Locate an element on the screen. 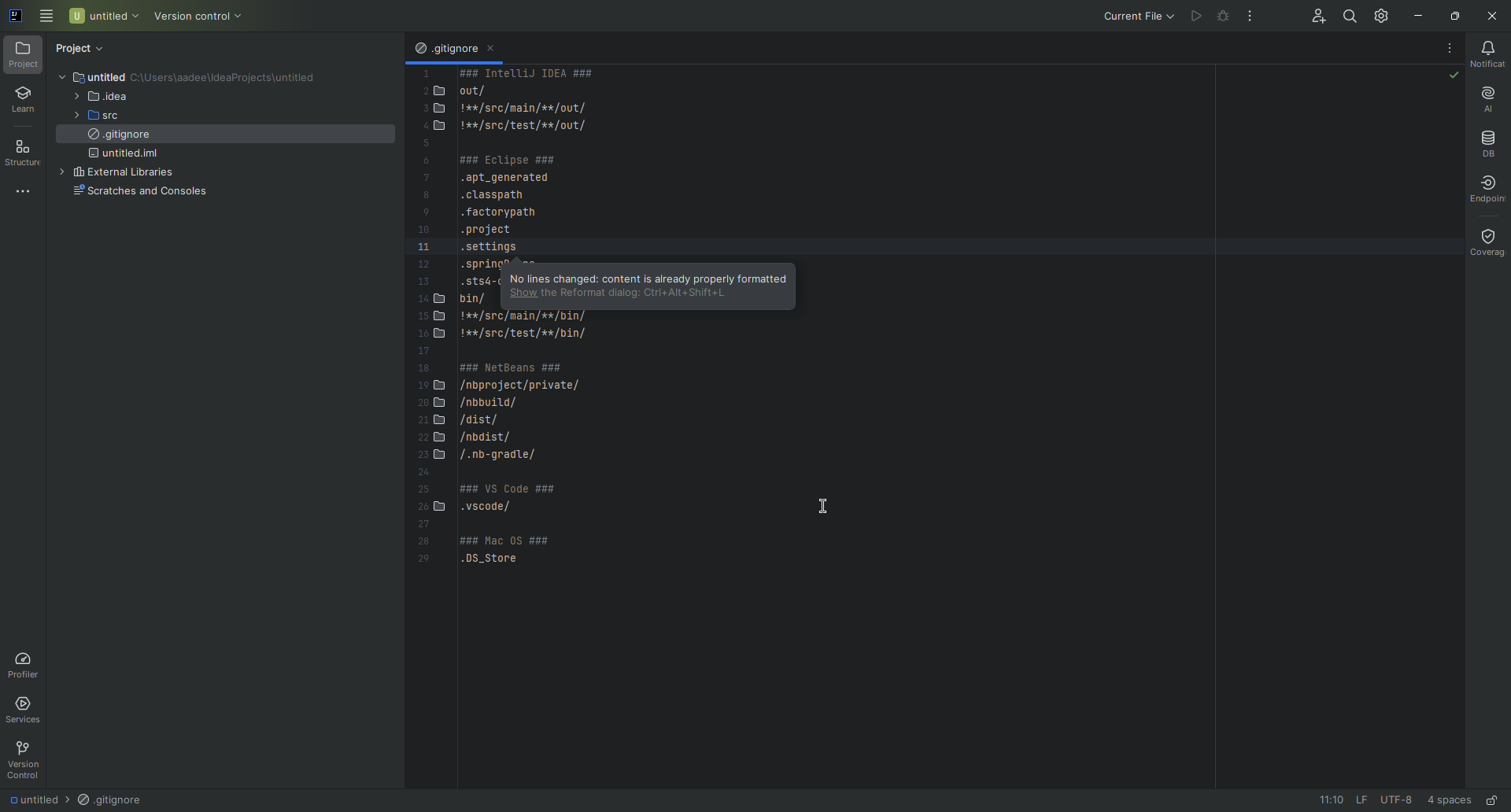 The image size is (1511, 812). .gitgmore is located at coordinates (111, 800).